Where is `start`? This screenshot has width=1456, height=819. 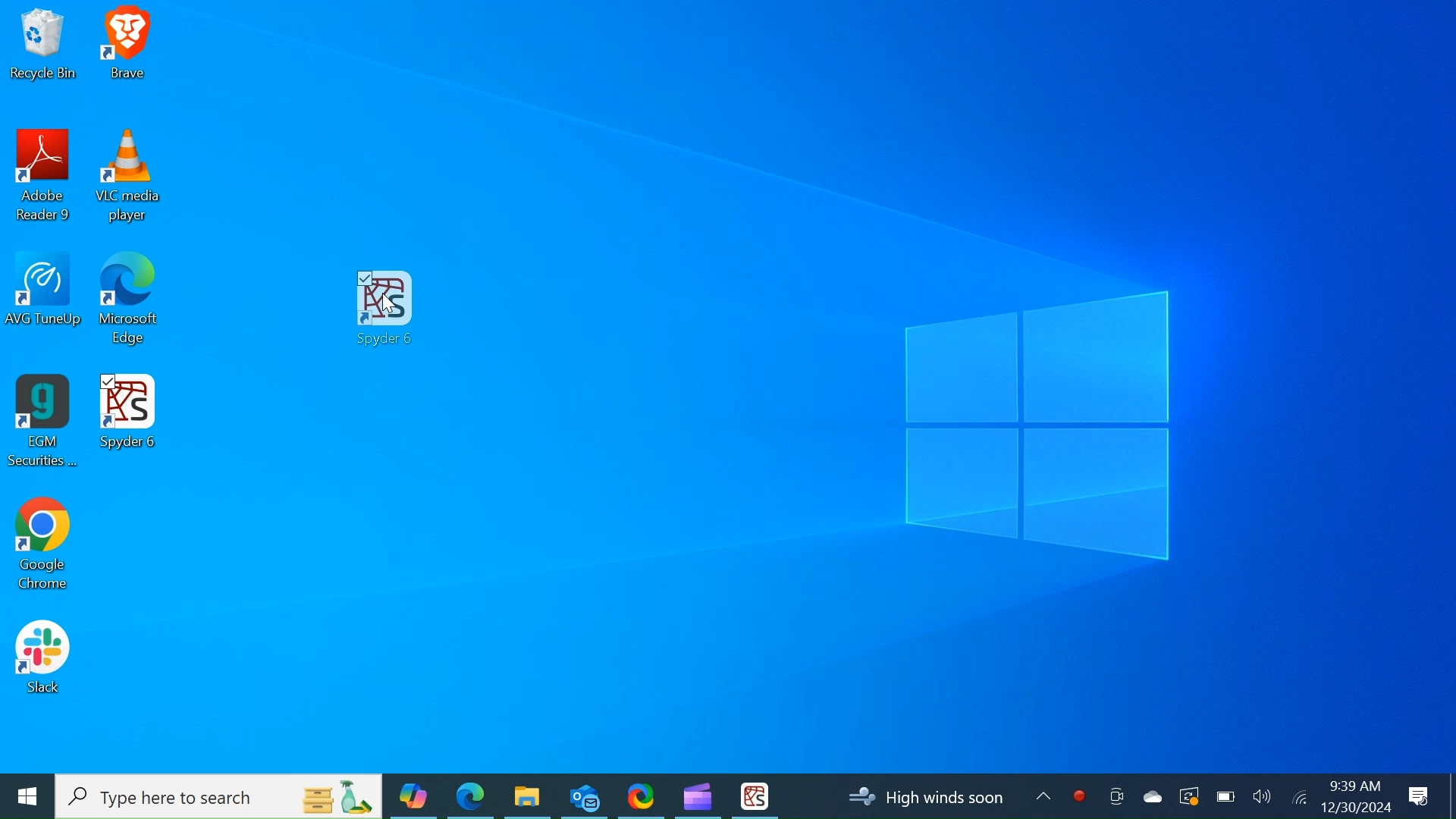
start is located at coordinates (26, 796).